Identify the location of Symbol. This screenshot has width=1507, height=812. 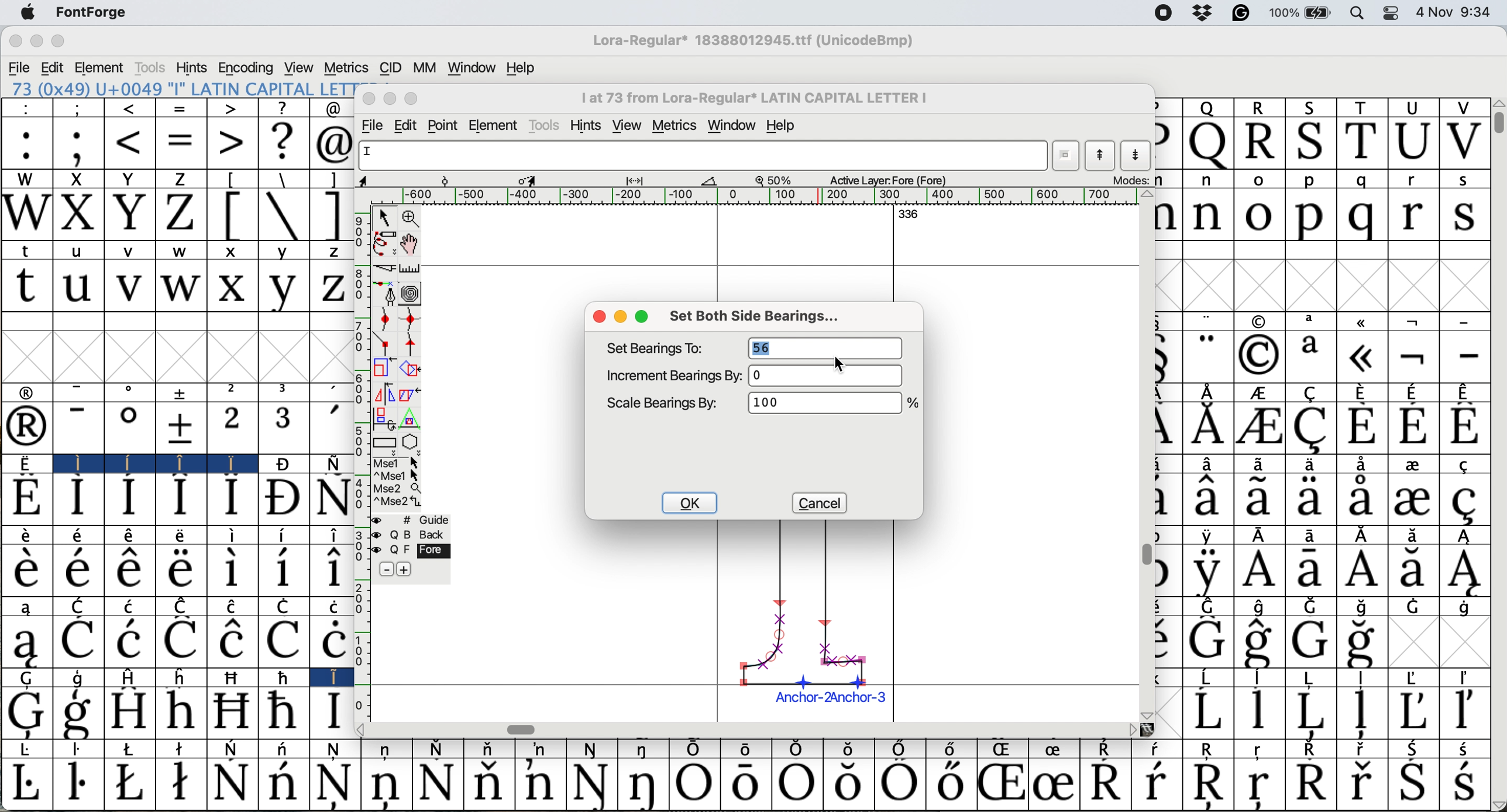
(1207, 642).